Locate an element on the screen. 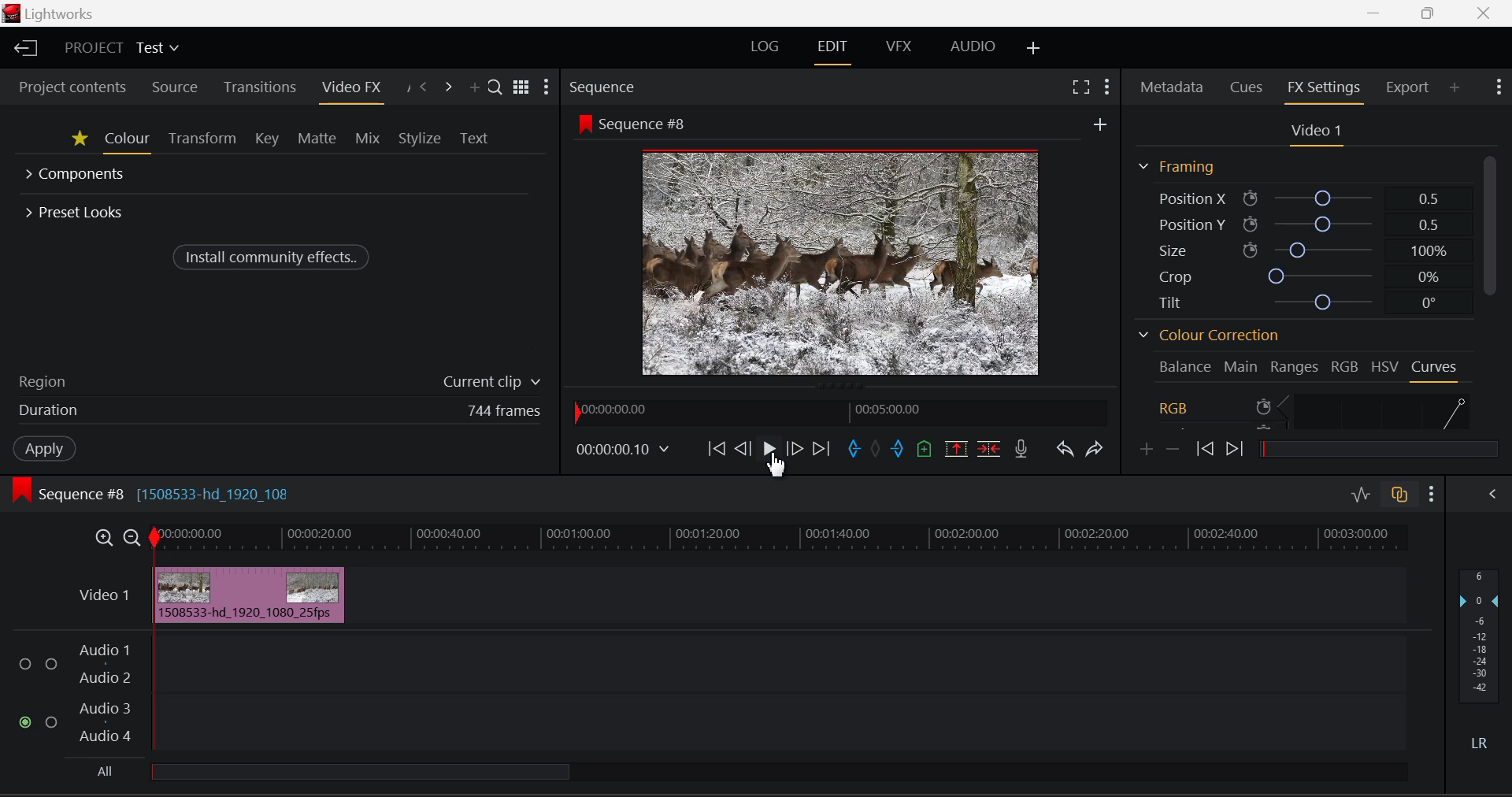 The height and width of the screenshot is (797, 1512). Close is located at coordinates (1484, 13).